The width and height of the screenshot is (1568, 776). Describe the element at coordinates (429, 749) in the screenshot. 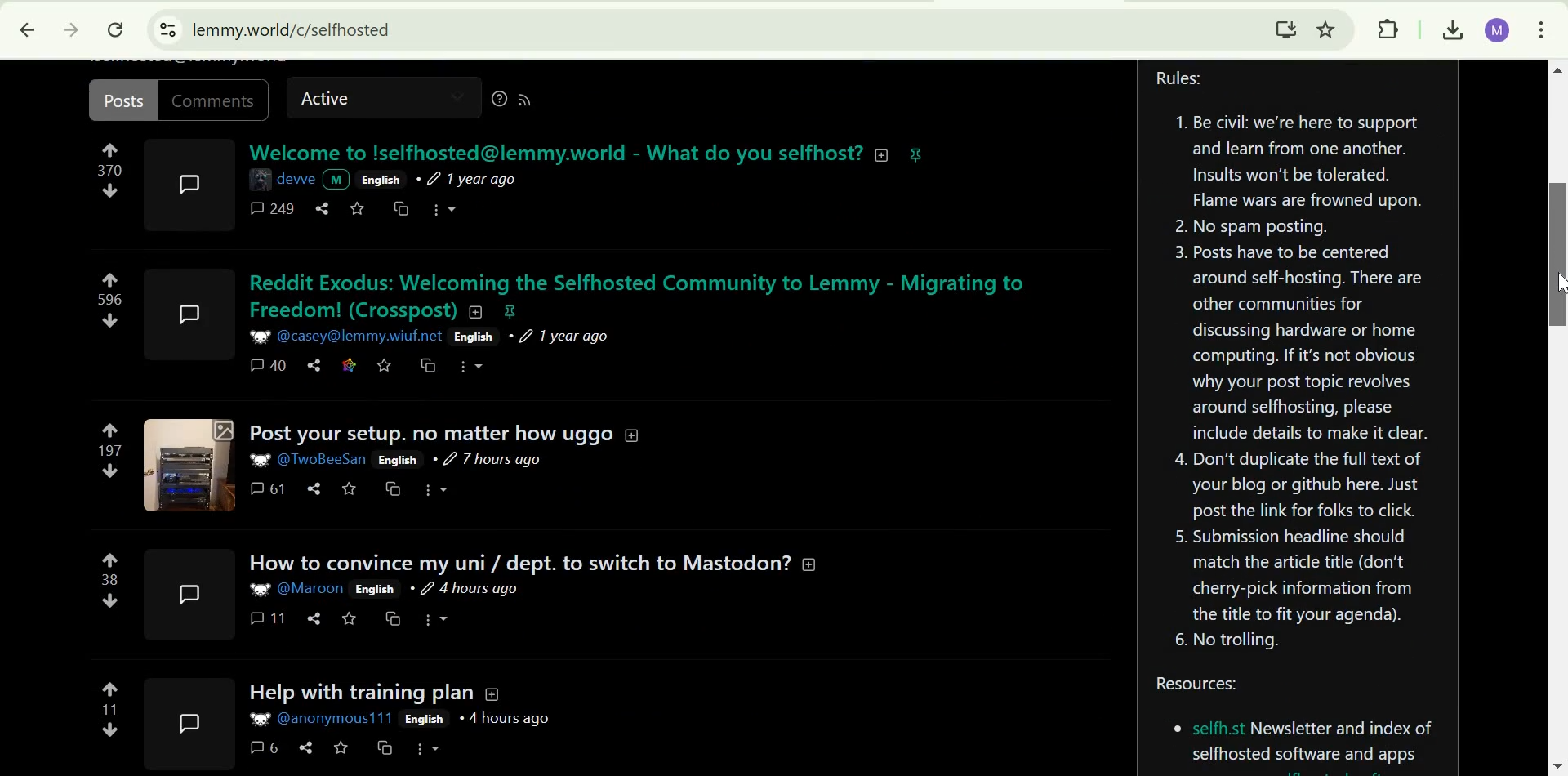

I see `More` at that location.